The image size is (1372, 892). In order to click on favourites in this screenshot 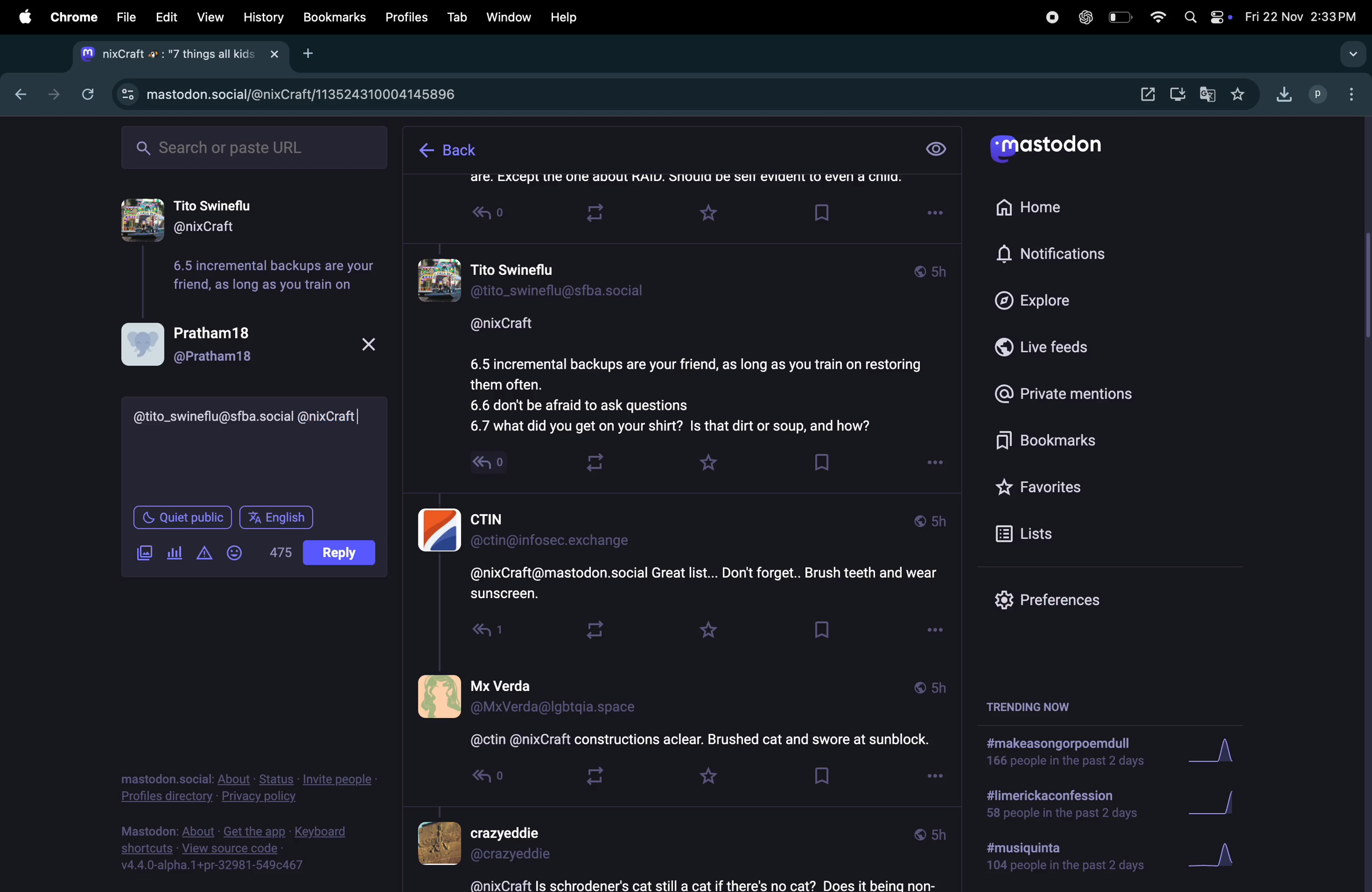, I will do `click(1239, 95)`.